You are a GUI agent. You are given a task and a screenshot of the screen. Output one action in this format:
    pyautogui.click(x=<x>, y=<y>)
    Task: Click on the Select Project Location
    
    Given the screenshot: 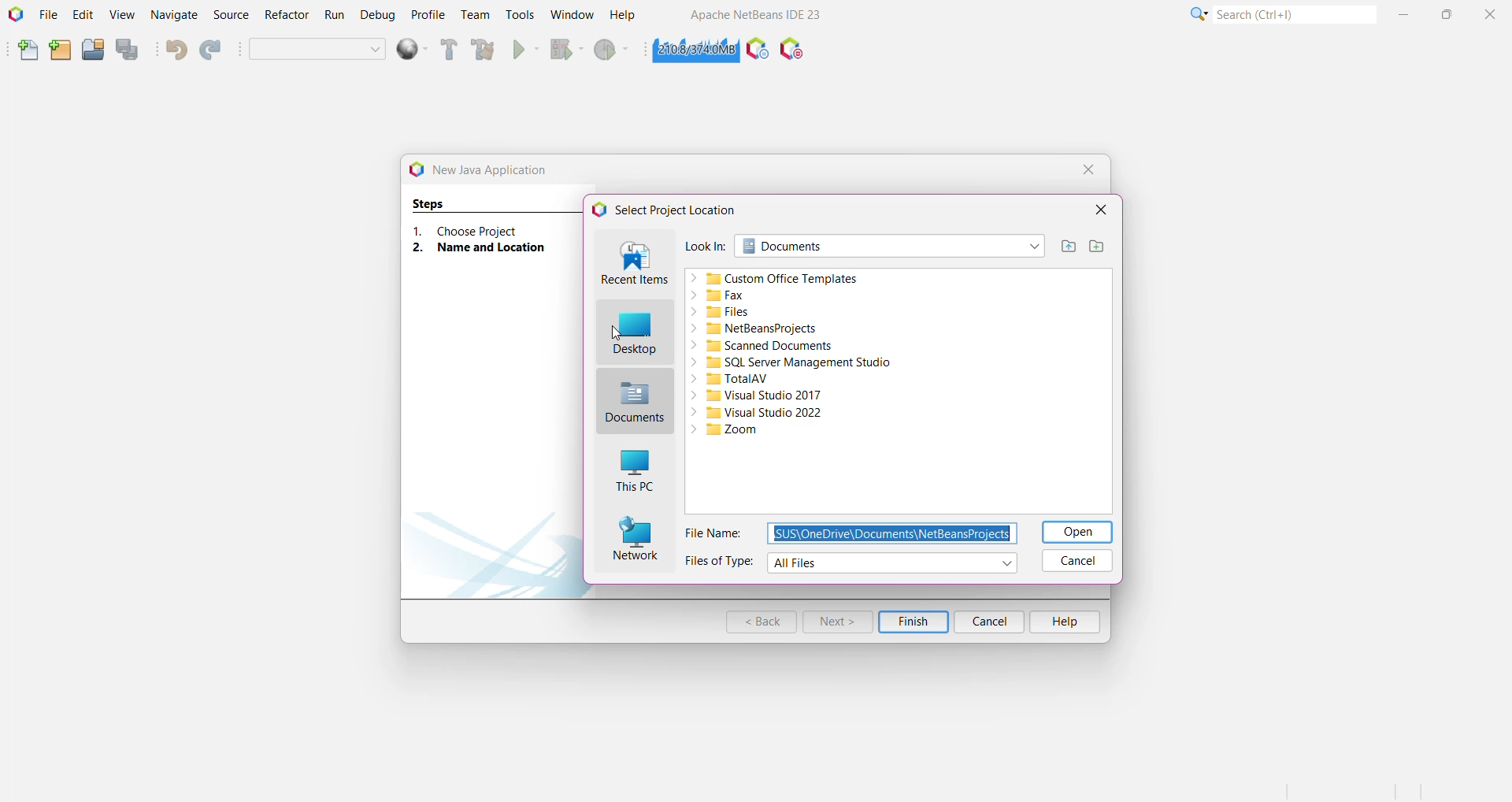 What is the action you would take?
    pyautogui.click(x=672, y=210)
    